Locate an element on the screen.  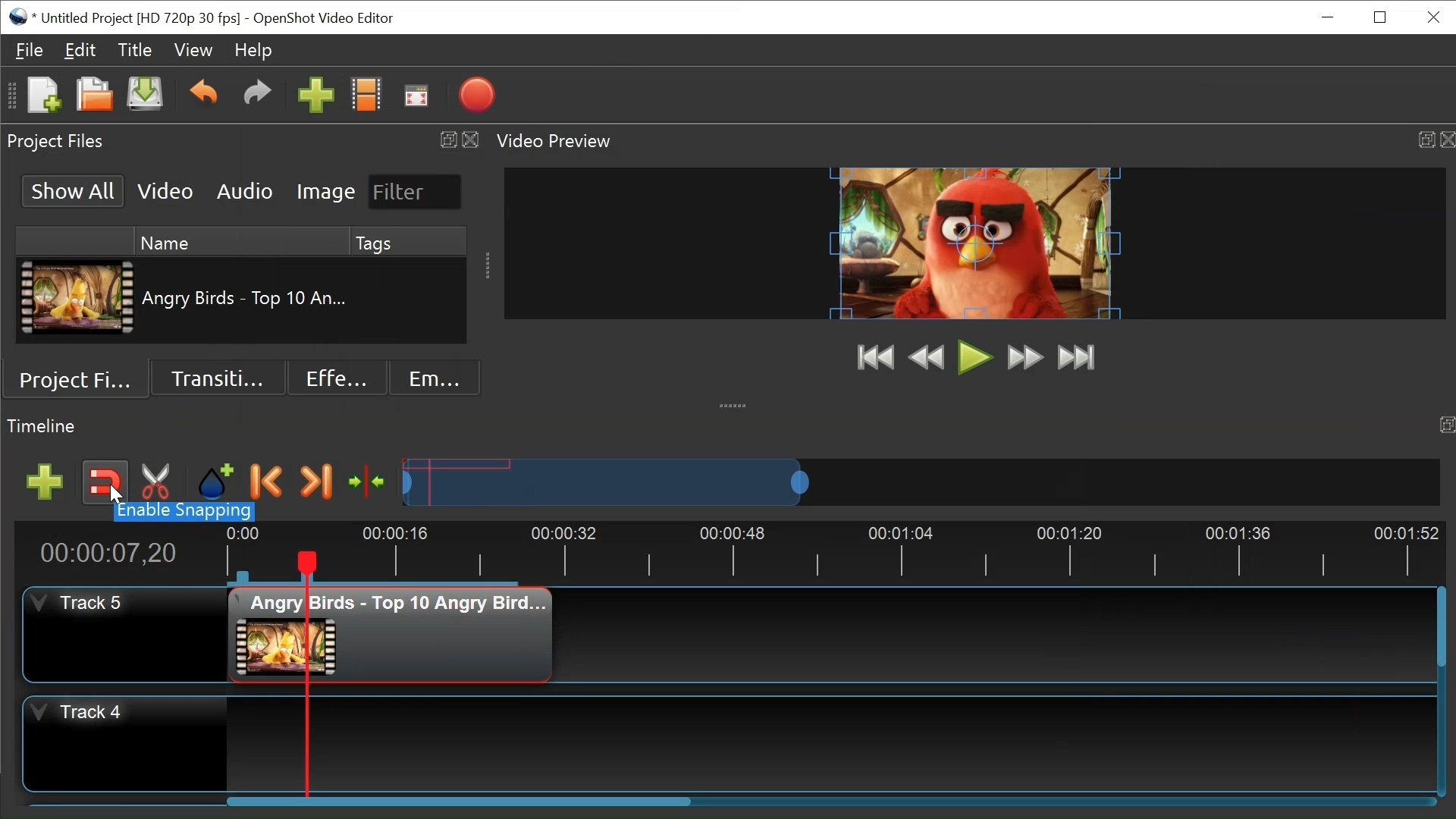
Timeline Panel is located at coordinates (728, 428).